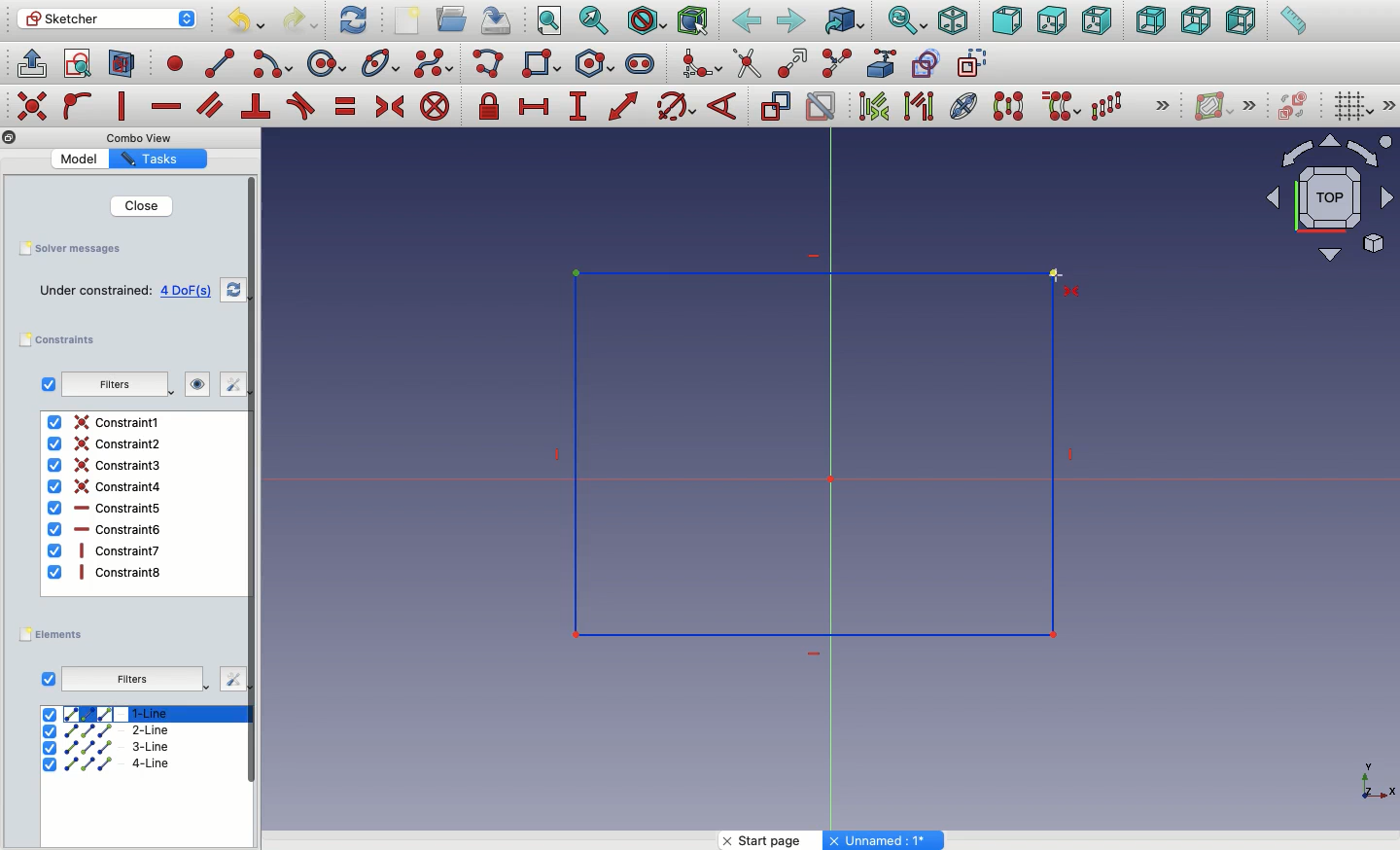 The width and height of the screenshot is (1400, 850). I want to click on Back, so click(1152, 20).